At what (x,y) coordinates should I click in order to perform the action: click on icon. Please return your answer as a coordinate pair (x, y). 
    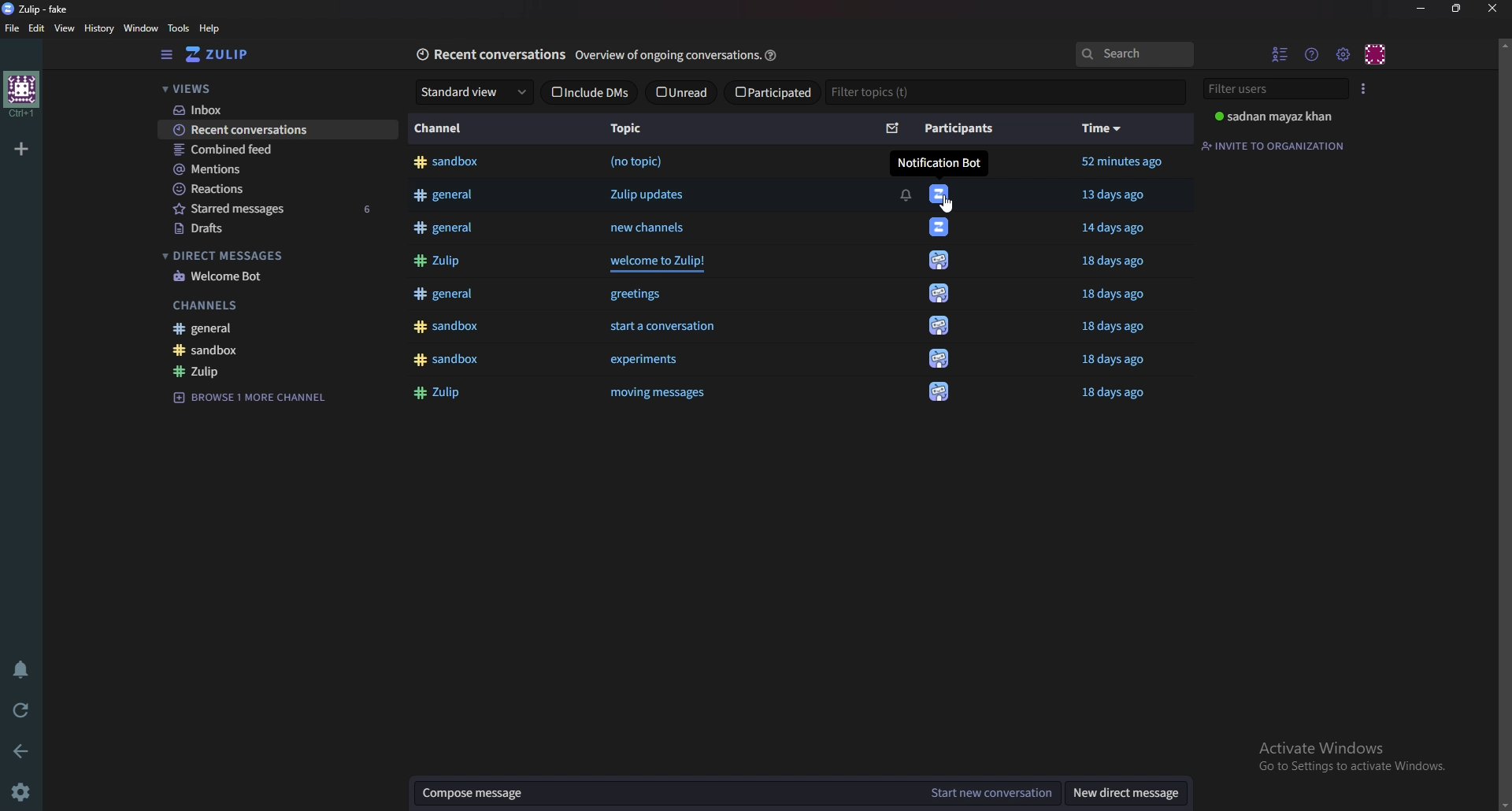
    Looking at the image, I should click on (939, 294).